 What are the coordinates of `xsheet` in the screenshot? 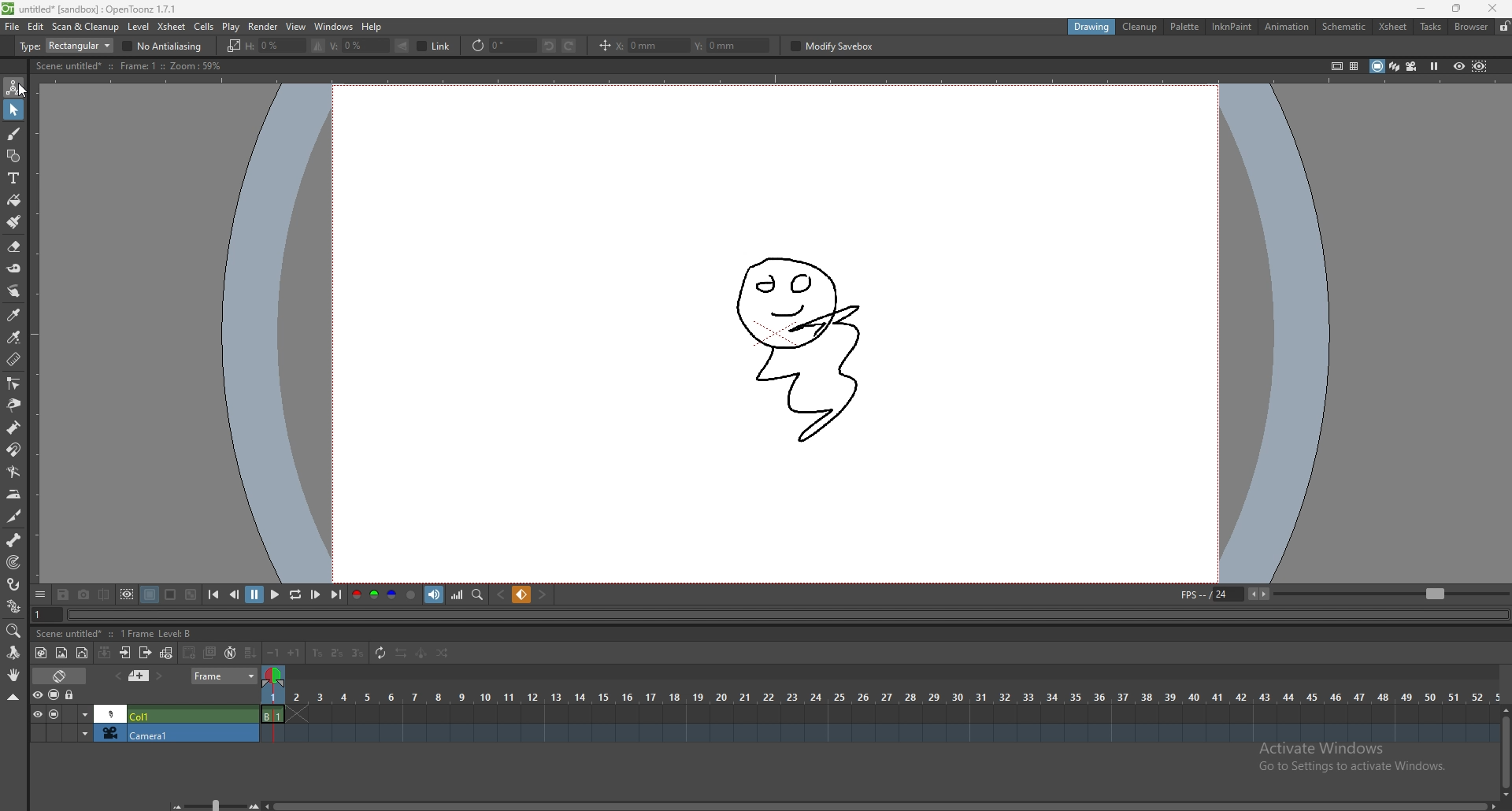 It's located at (172, 27).